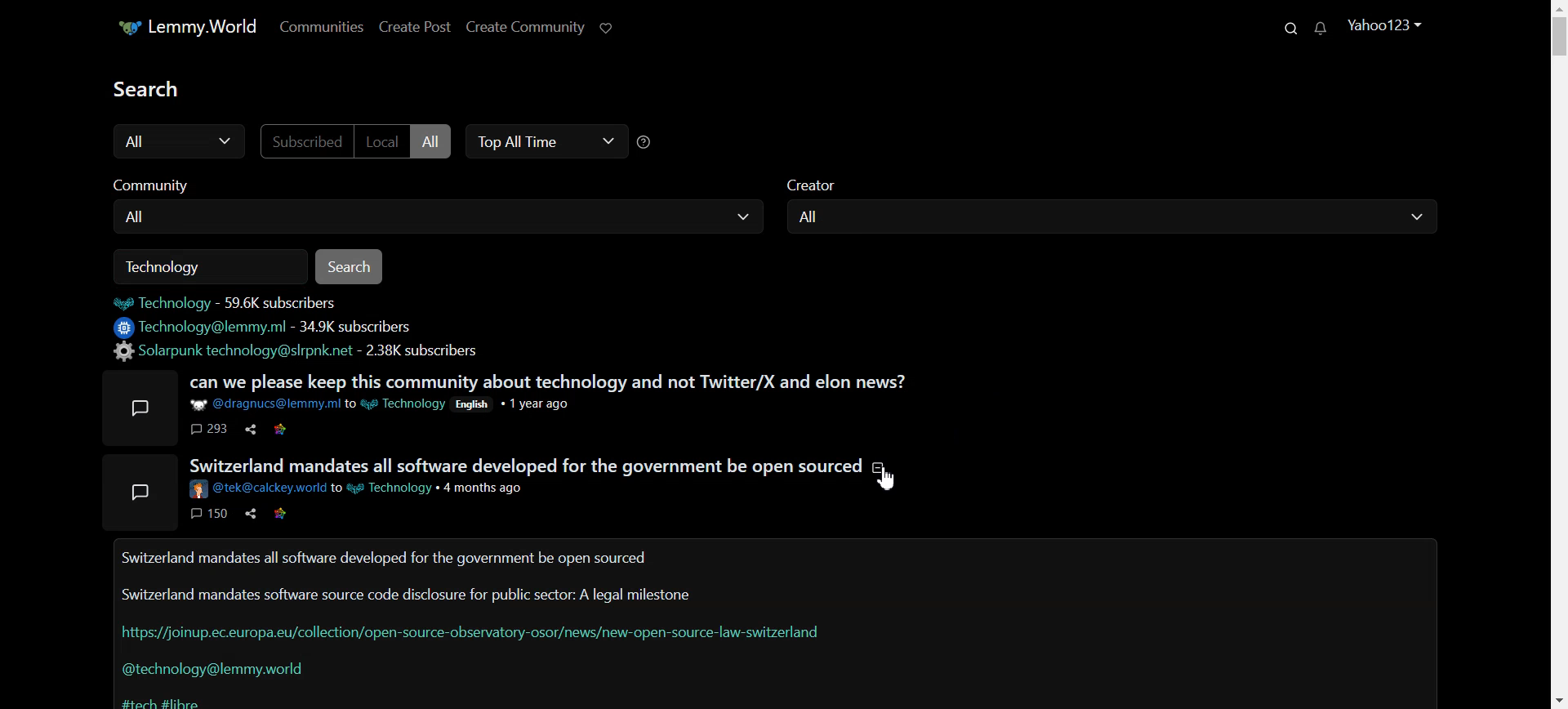 This screenshot has width=1568, height=709. Describe the element at coordinates (825, 182) in the screenshot. I see `Creator` at that location.